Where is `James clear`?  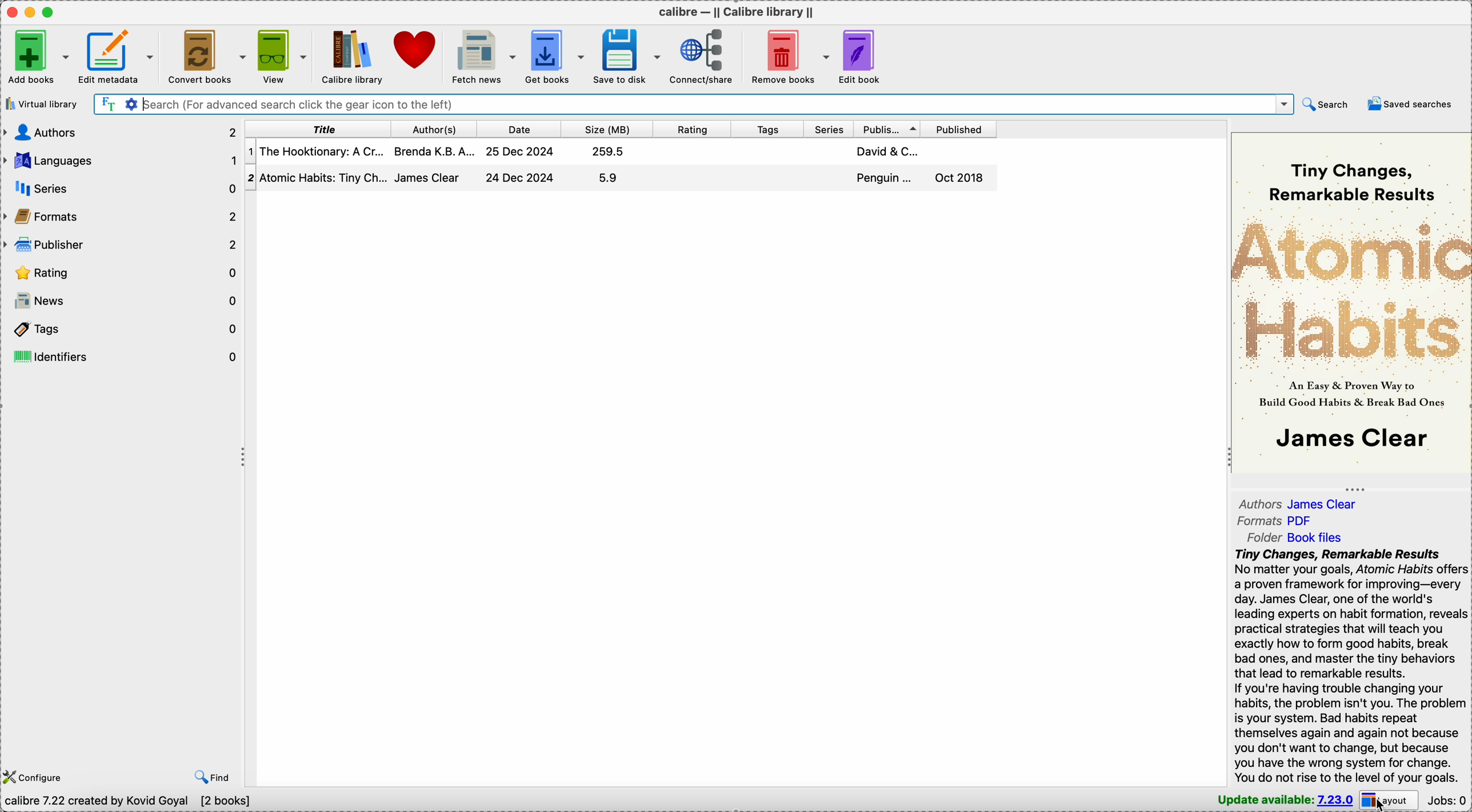
James clear is located at coordinates (1353, 440).